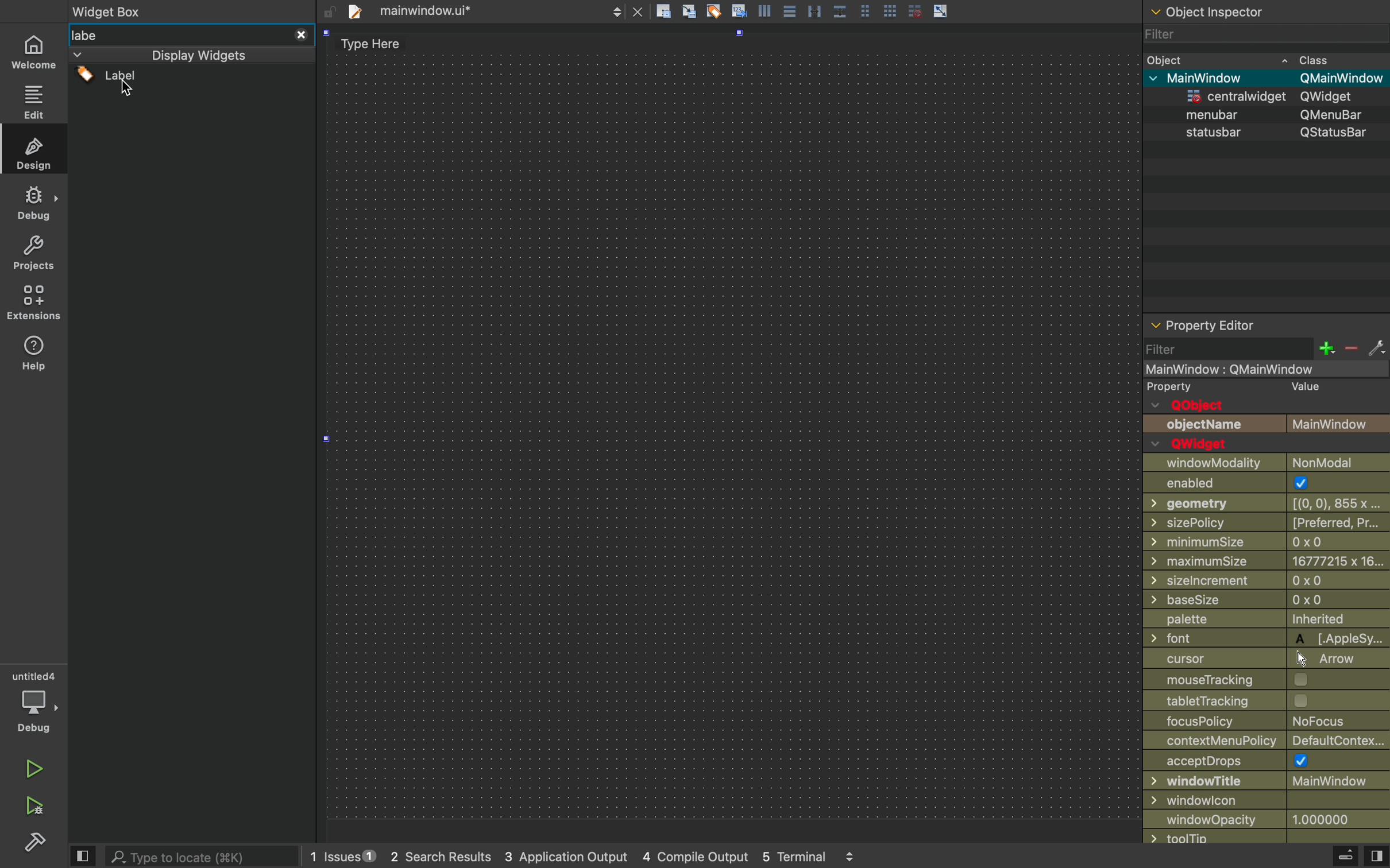 The width and height of the screenshot is (1390, 868). I want to click on filter, so click(1267, 349).